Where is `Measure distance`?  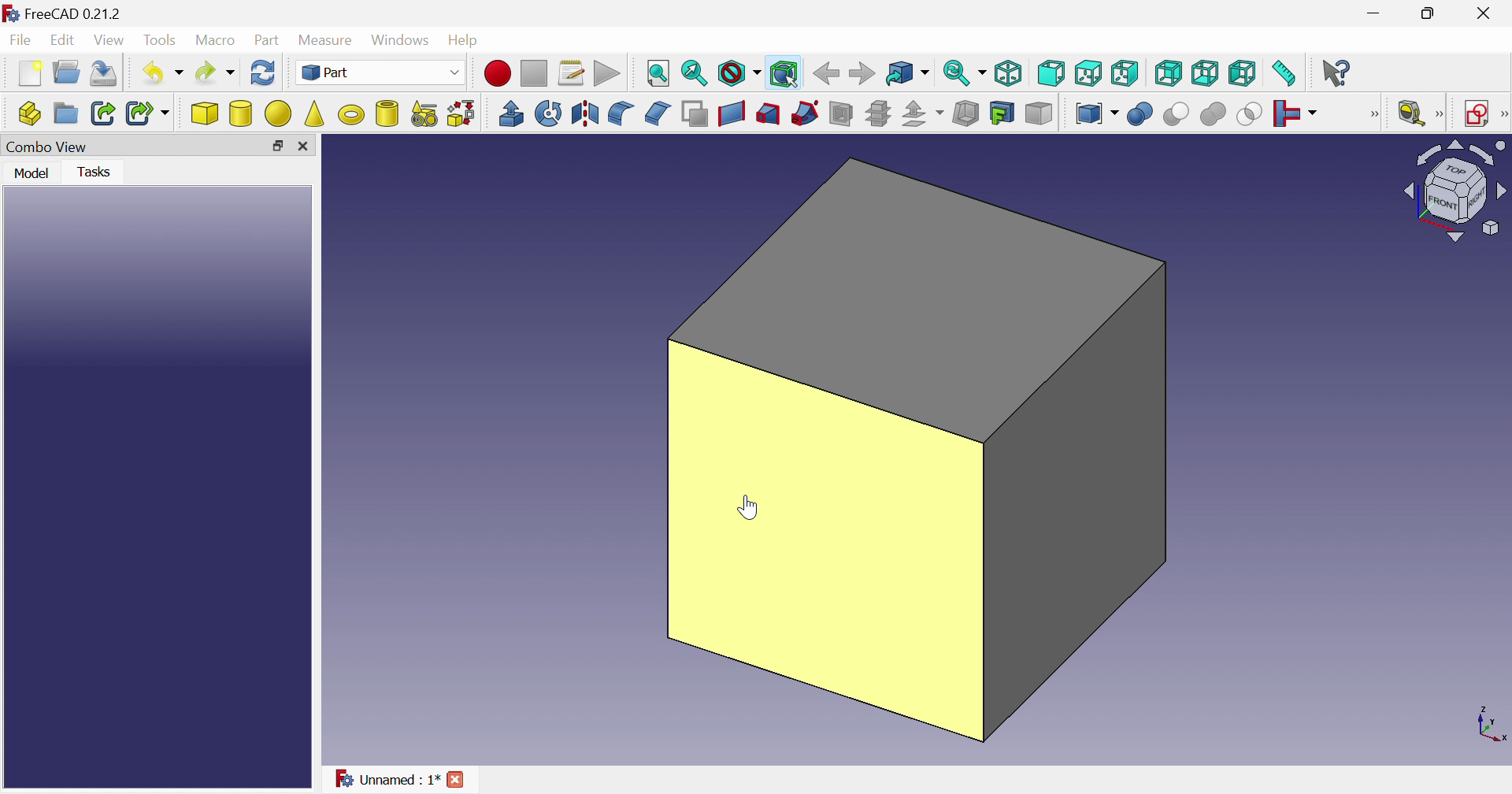
Measure distance is located at coordinates (1285, 74).